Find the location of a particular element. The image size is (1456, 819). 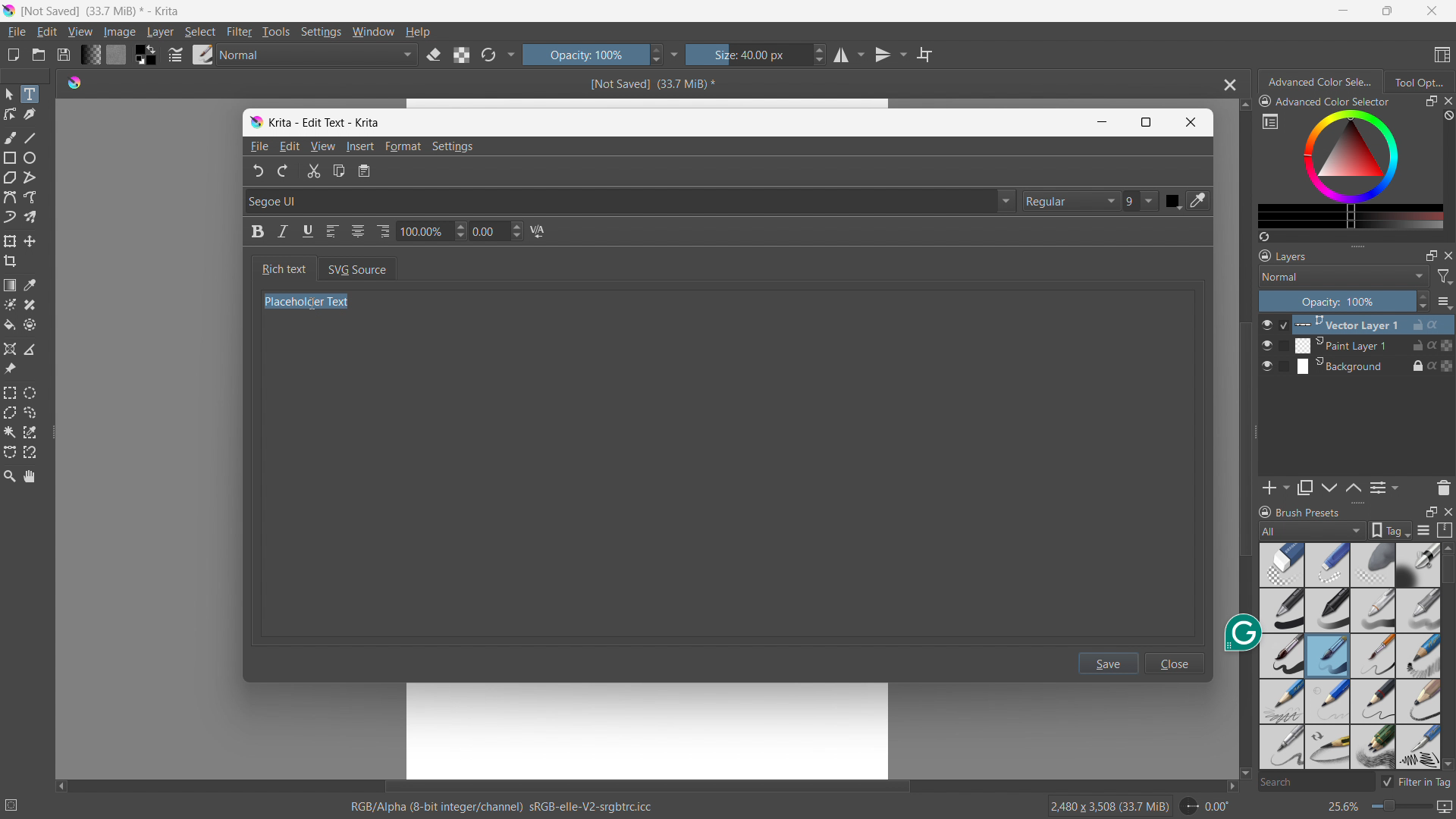

Brush is located at coordinates (1328, 656).